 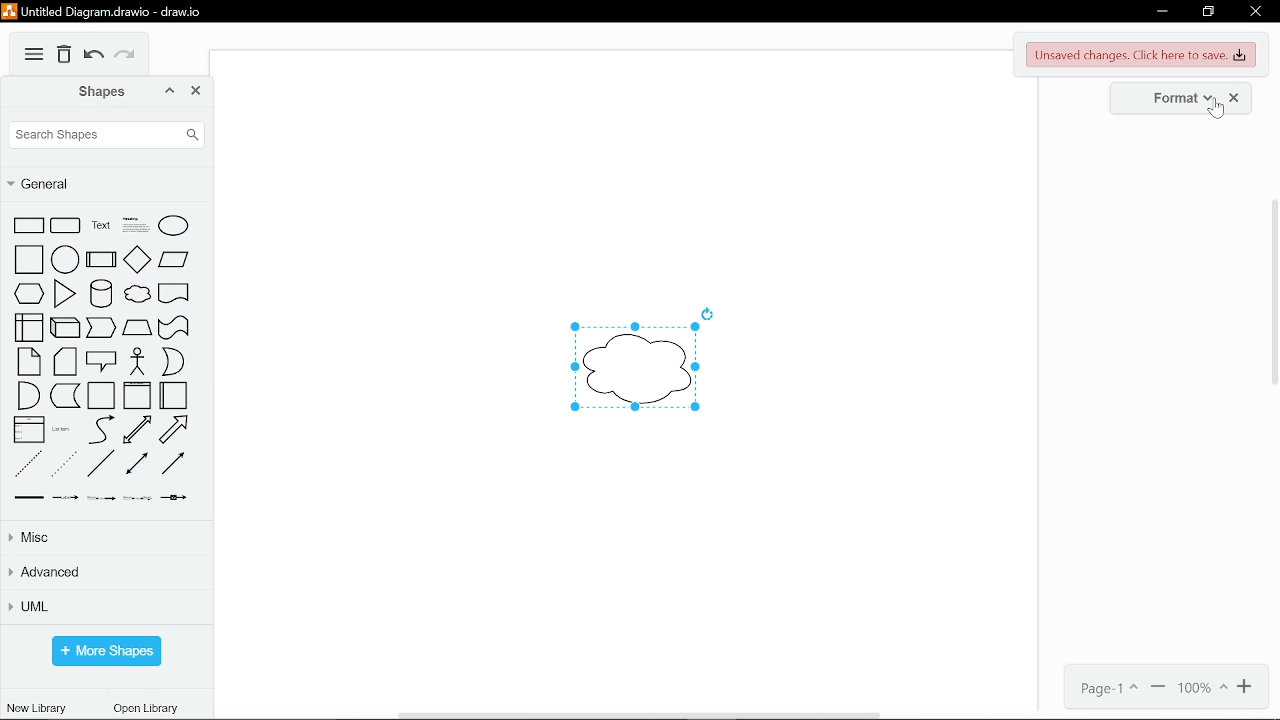 I want to click on ellipse, so click(x=175, y=226).